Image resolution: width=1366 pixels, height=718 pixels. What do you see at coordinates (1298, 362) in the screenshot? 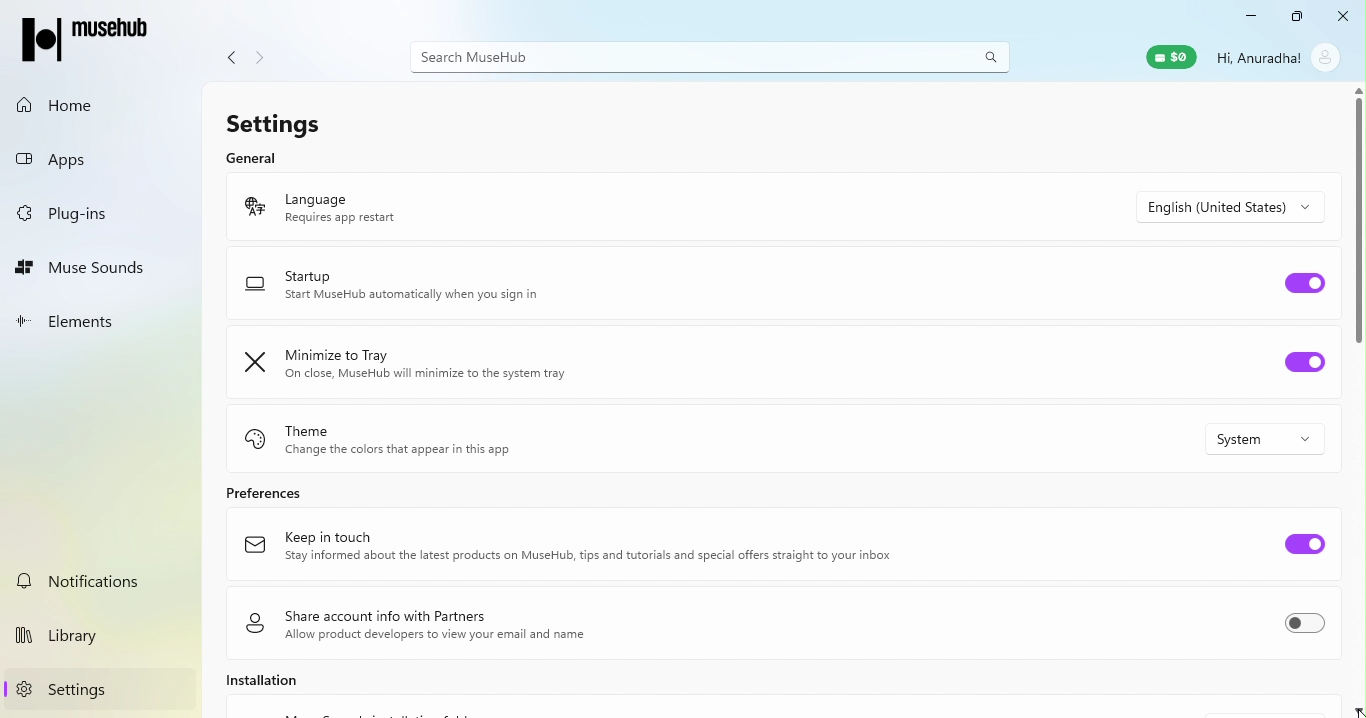
I see `Toggle` at bounding box center [1298, 362].